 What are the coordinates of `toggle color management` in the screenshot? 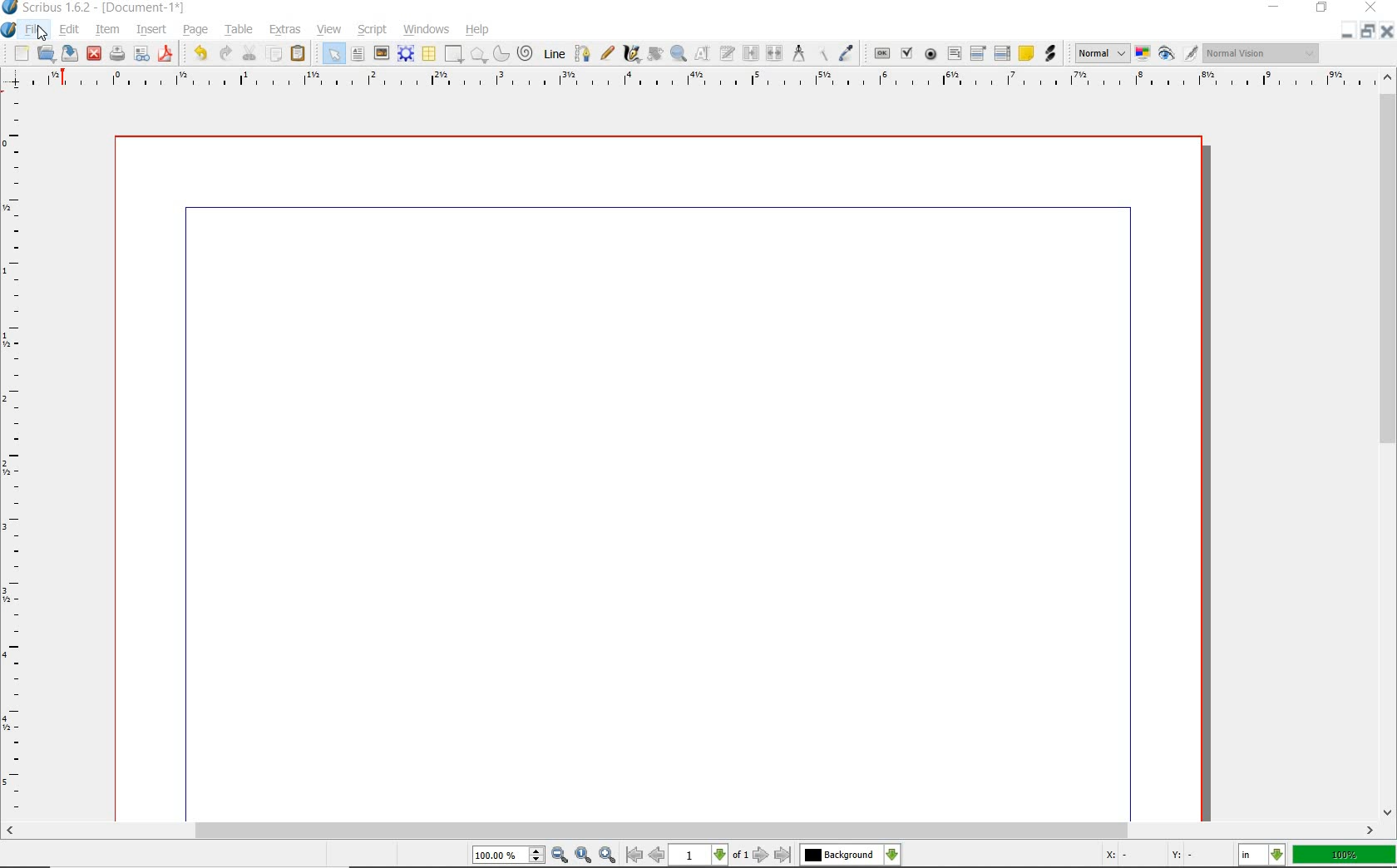 It's located at (1143, 52).